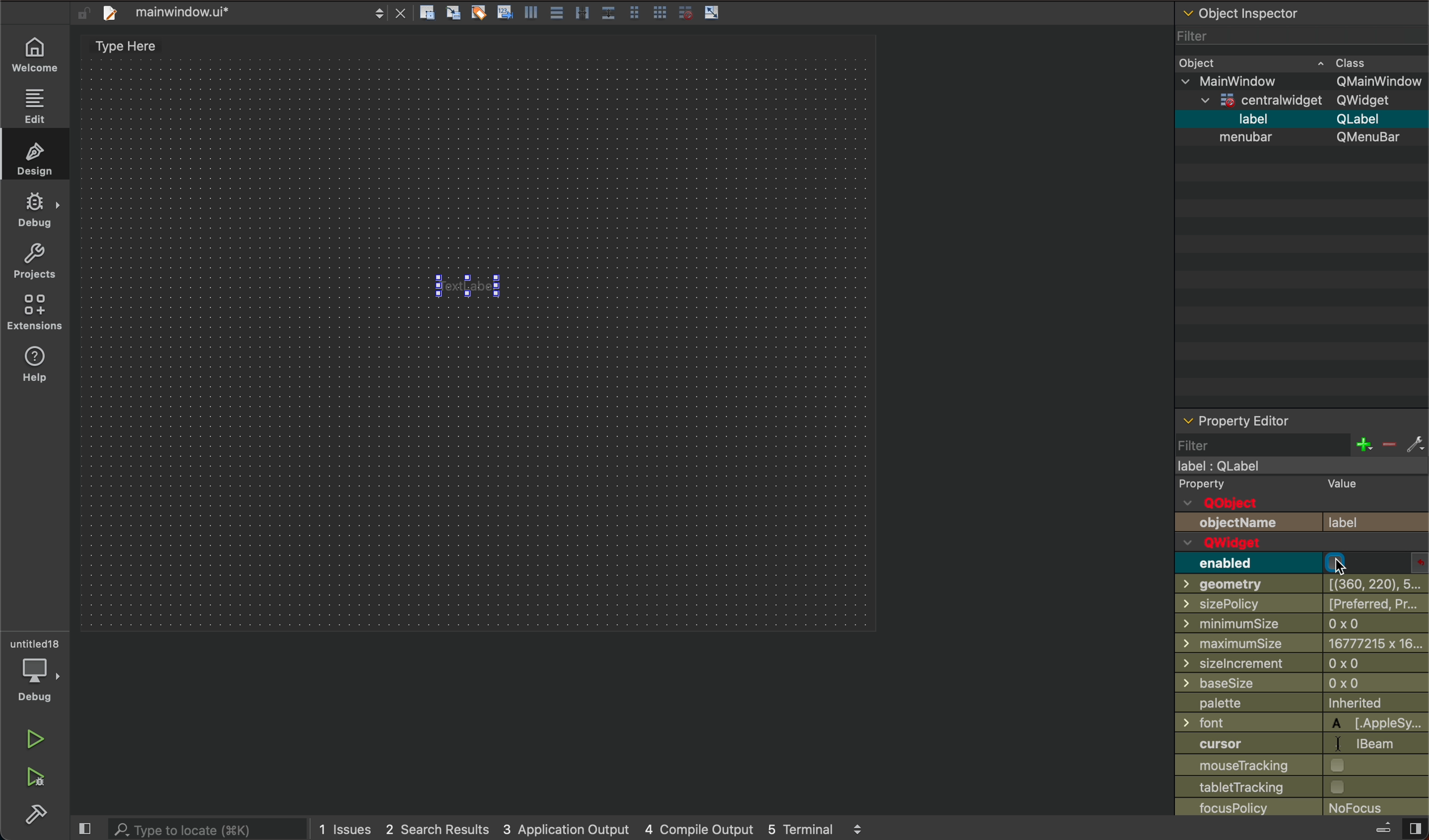  Describe the element at coordinates (235, 13) in the screenshot. I see `file tab` at that location.